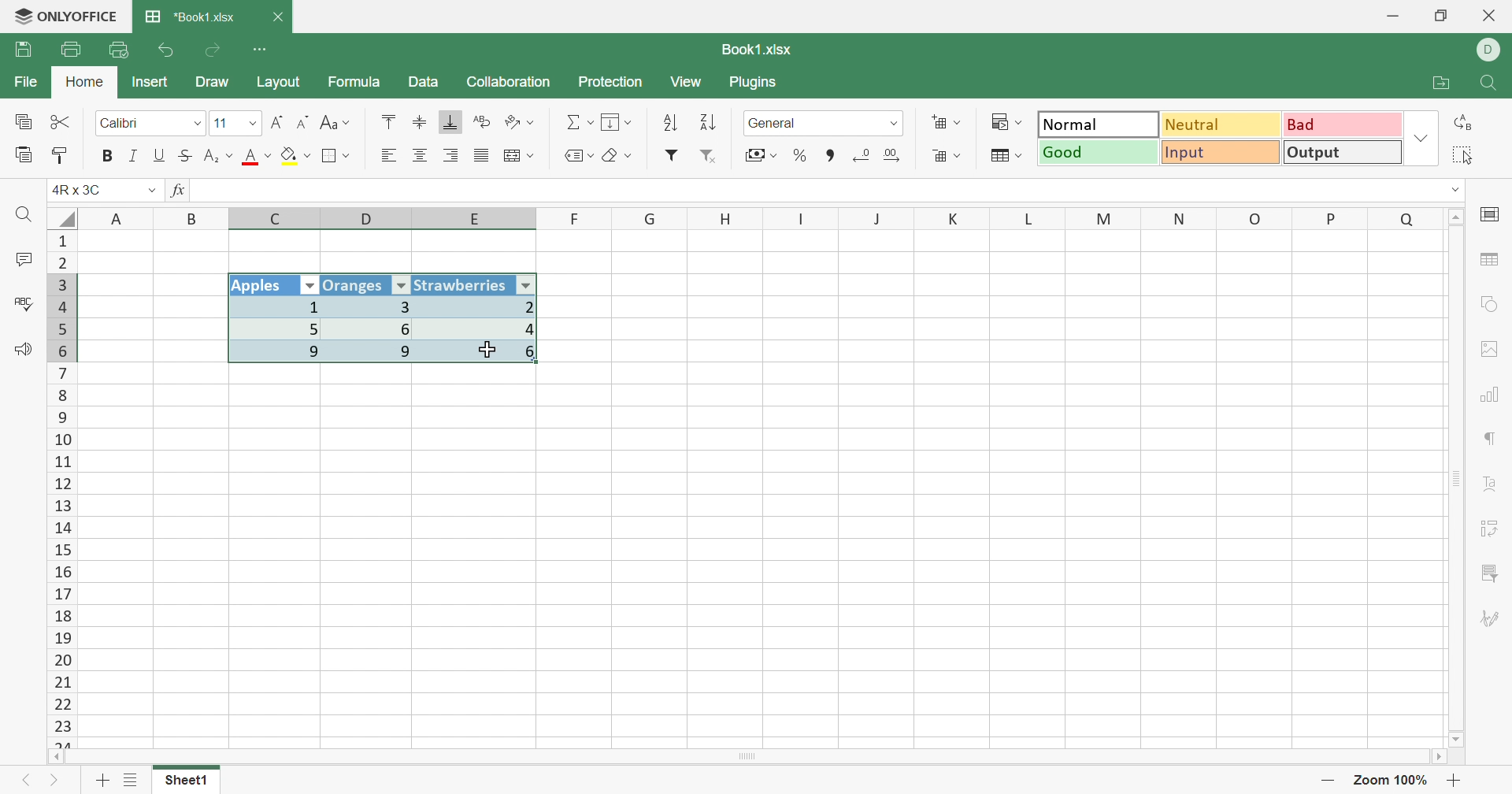 This screenshot has width=1512, height=794. Describe the element at coordinates (1496, 525) in the screenshot. I see `Pivot table settings` at that location.